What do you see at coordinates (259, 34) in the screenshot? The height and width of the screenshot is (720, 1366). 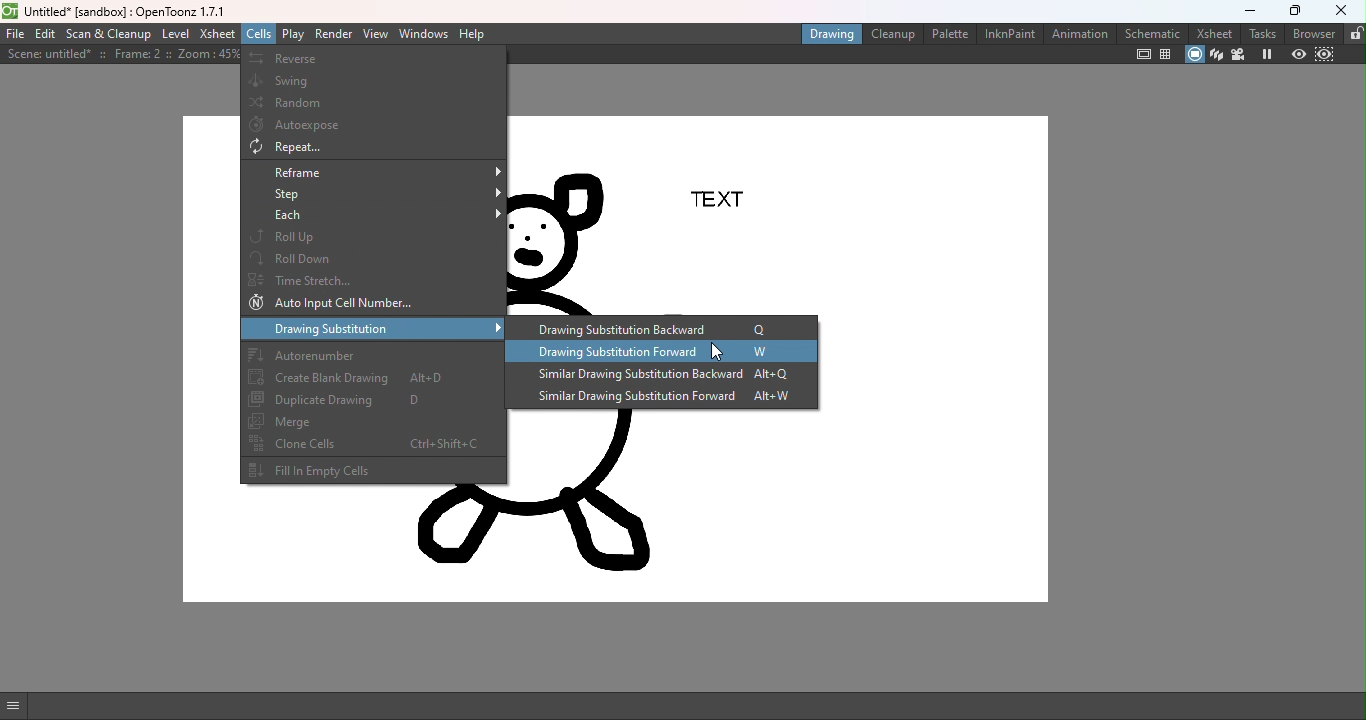 I see `Cells` at bounding box center [259, 34].